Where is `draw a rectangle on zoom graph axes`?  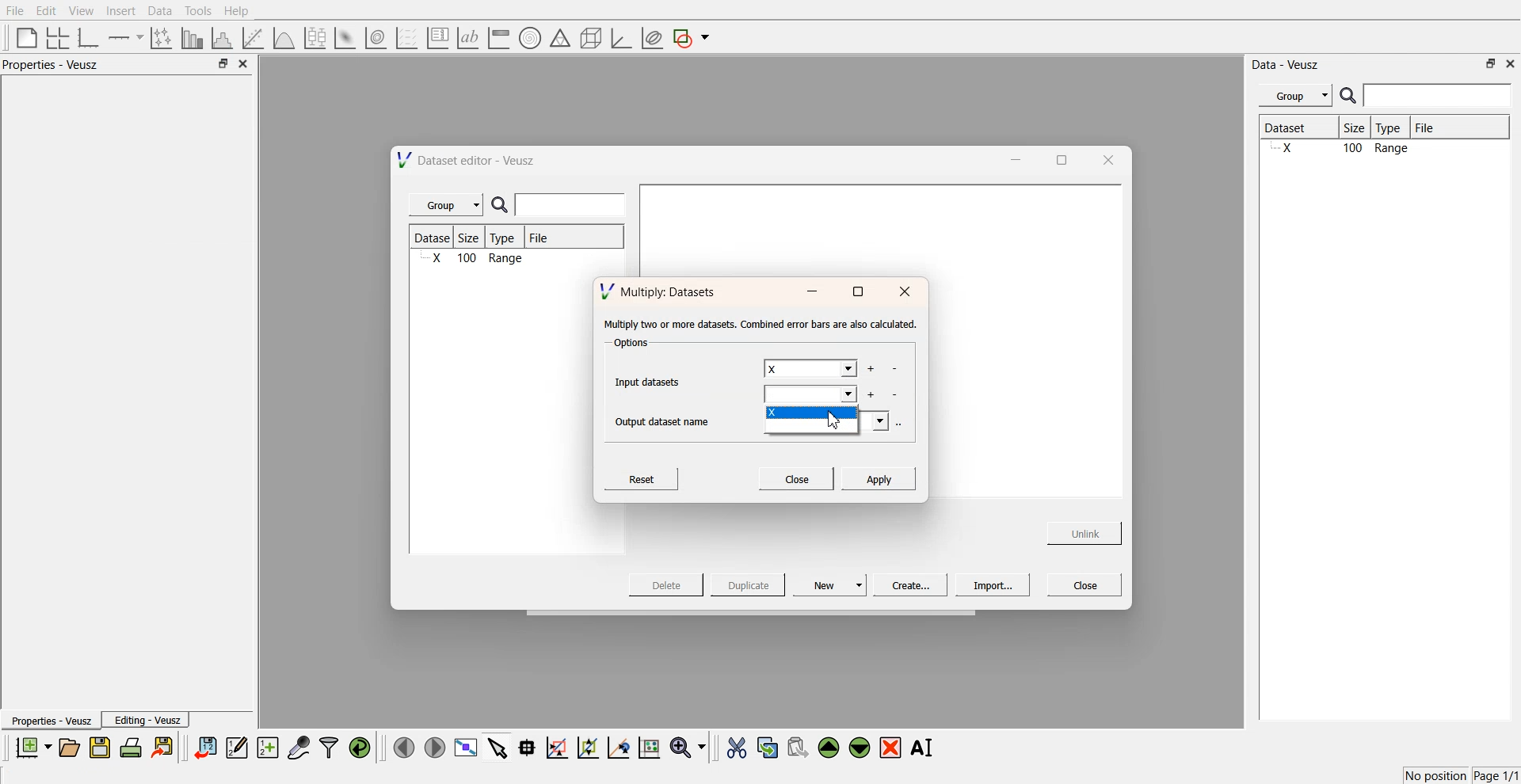
draw a rectangle on zoom graph axes is located at coordinates (556, 746).